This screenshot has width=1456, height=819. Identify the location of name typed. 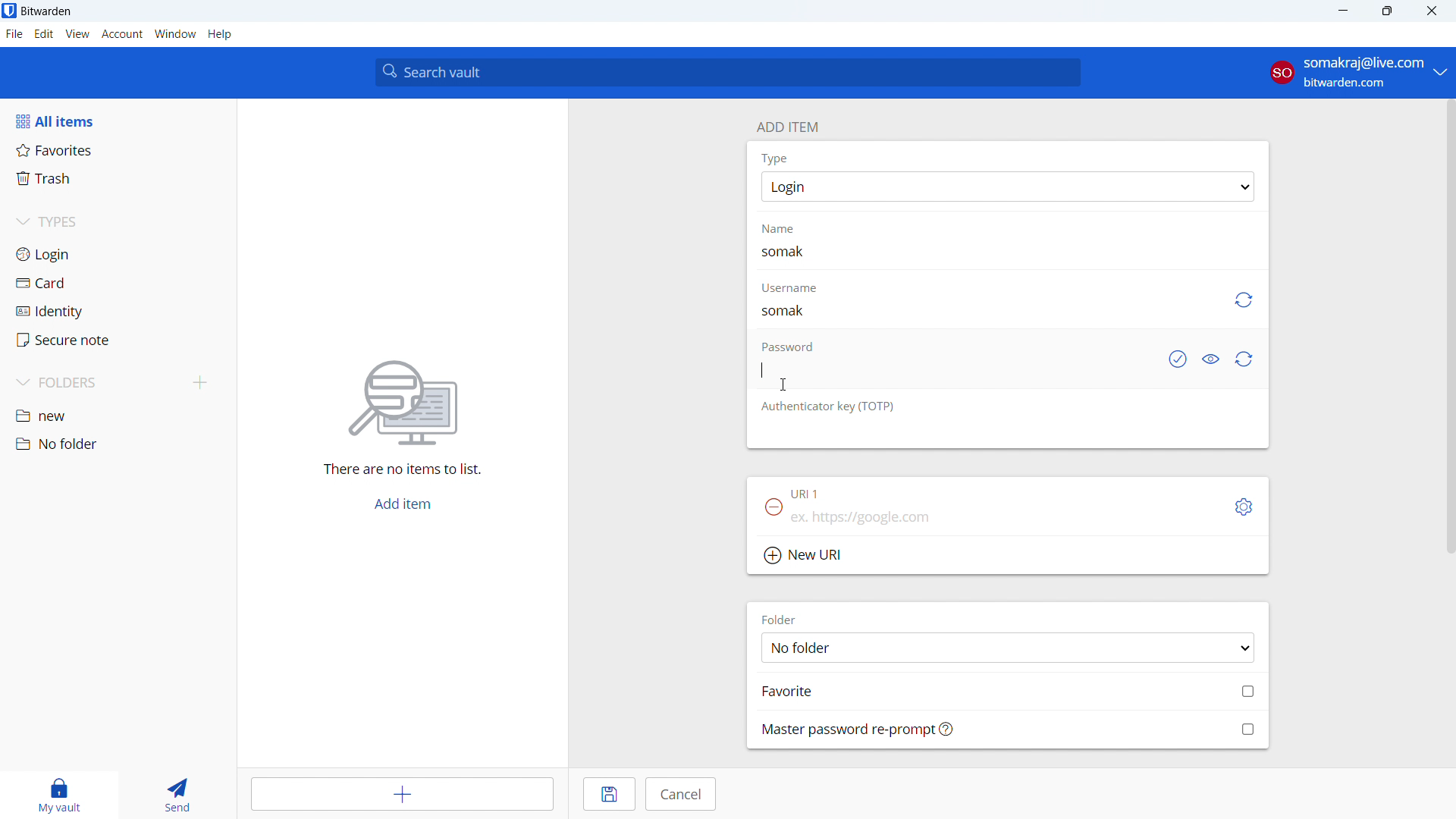
(784, 251).